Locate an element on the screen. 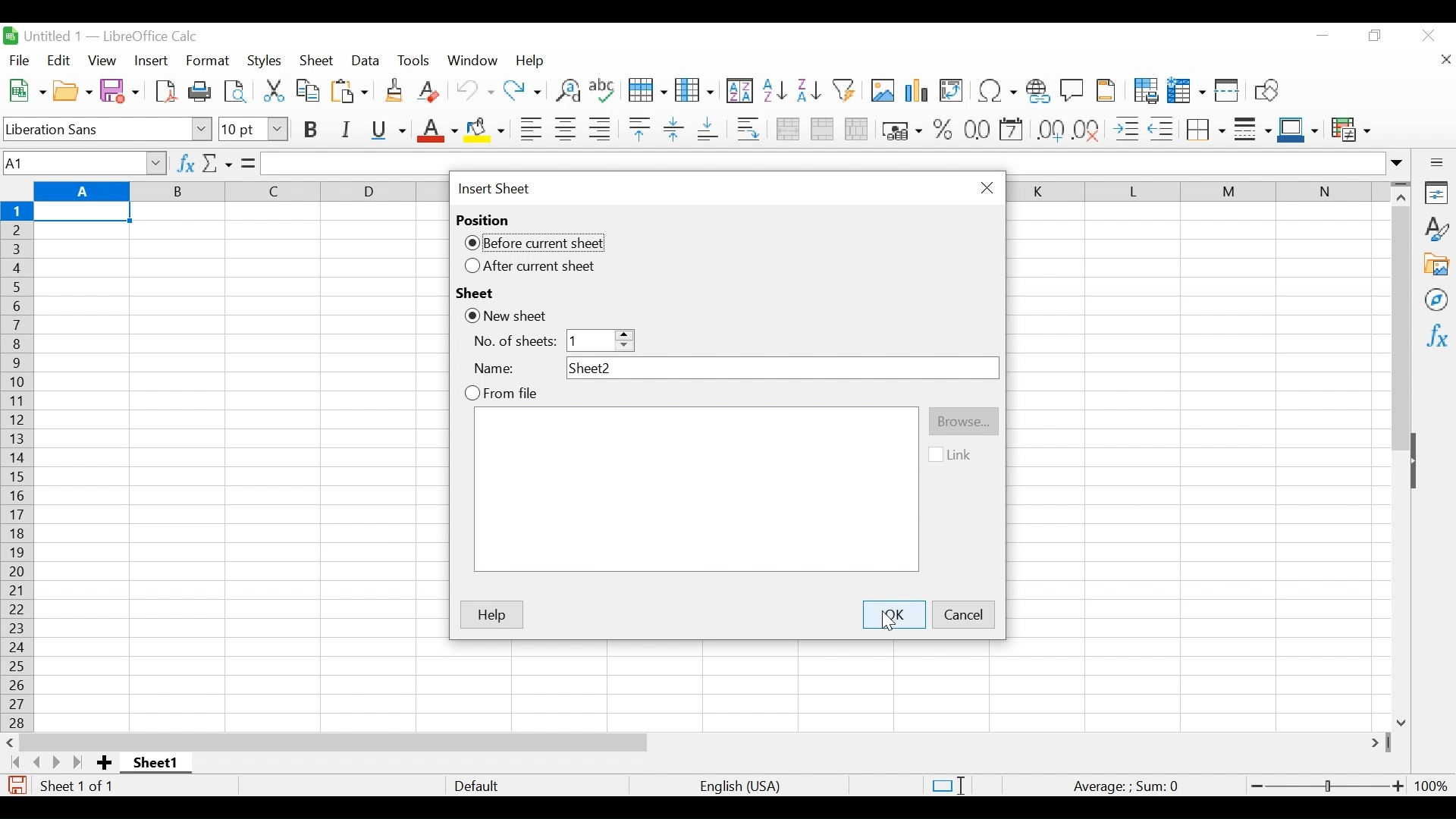  Find and Replace is located at coordinates (565, 91).